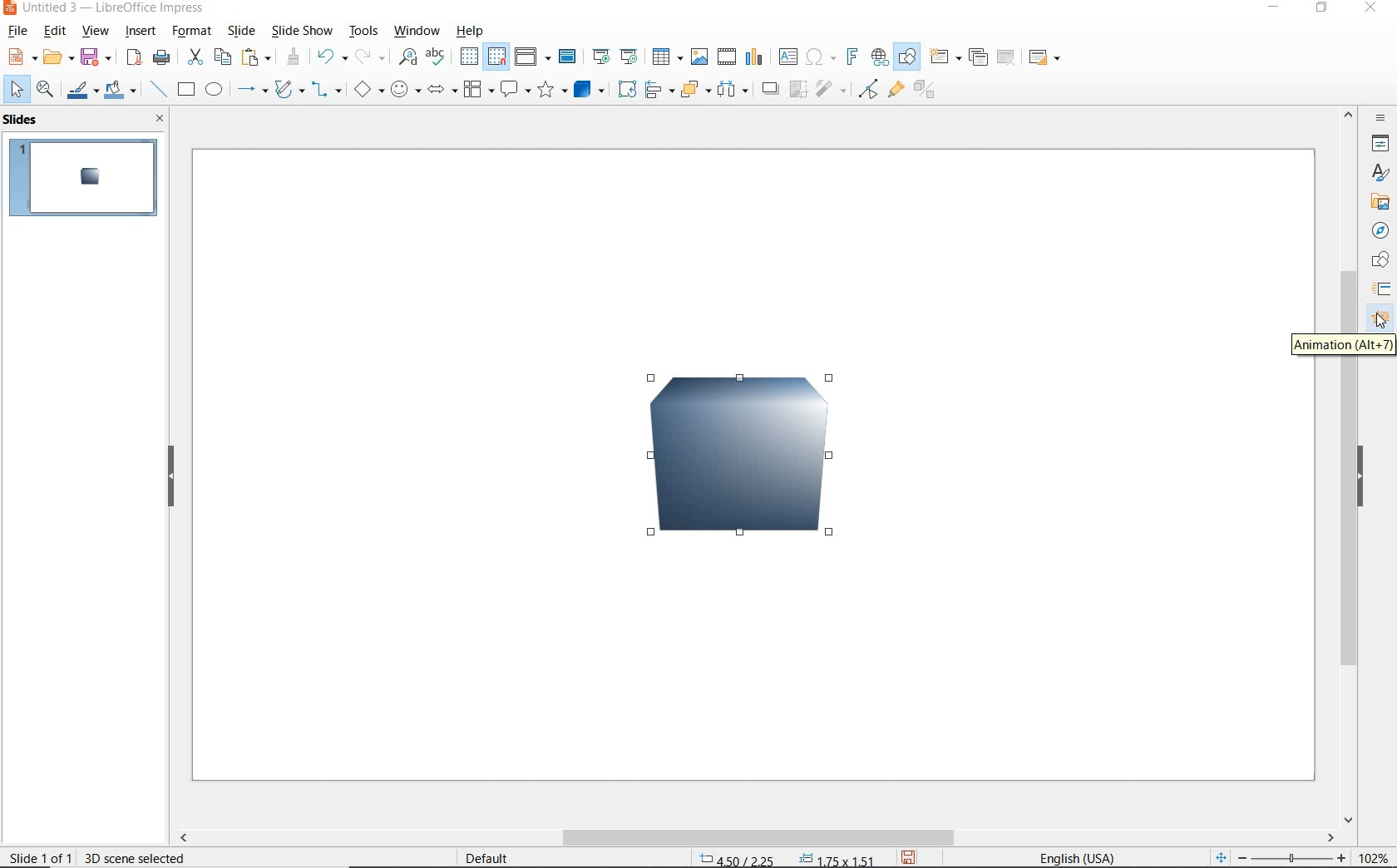  What do you see at coordinates (758, 838) in the screenshot?
I see `scrollbar` at bounding box center [758, 838].